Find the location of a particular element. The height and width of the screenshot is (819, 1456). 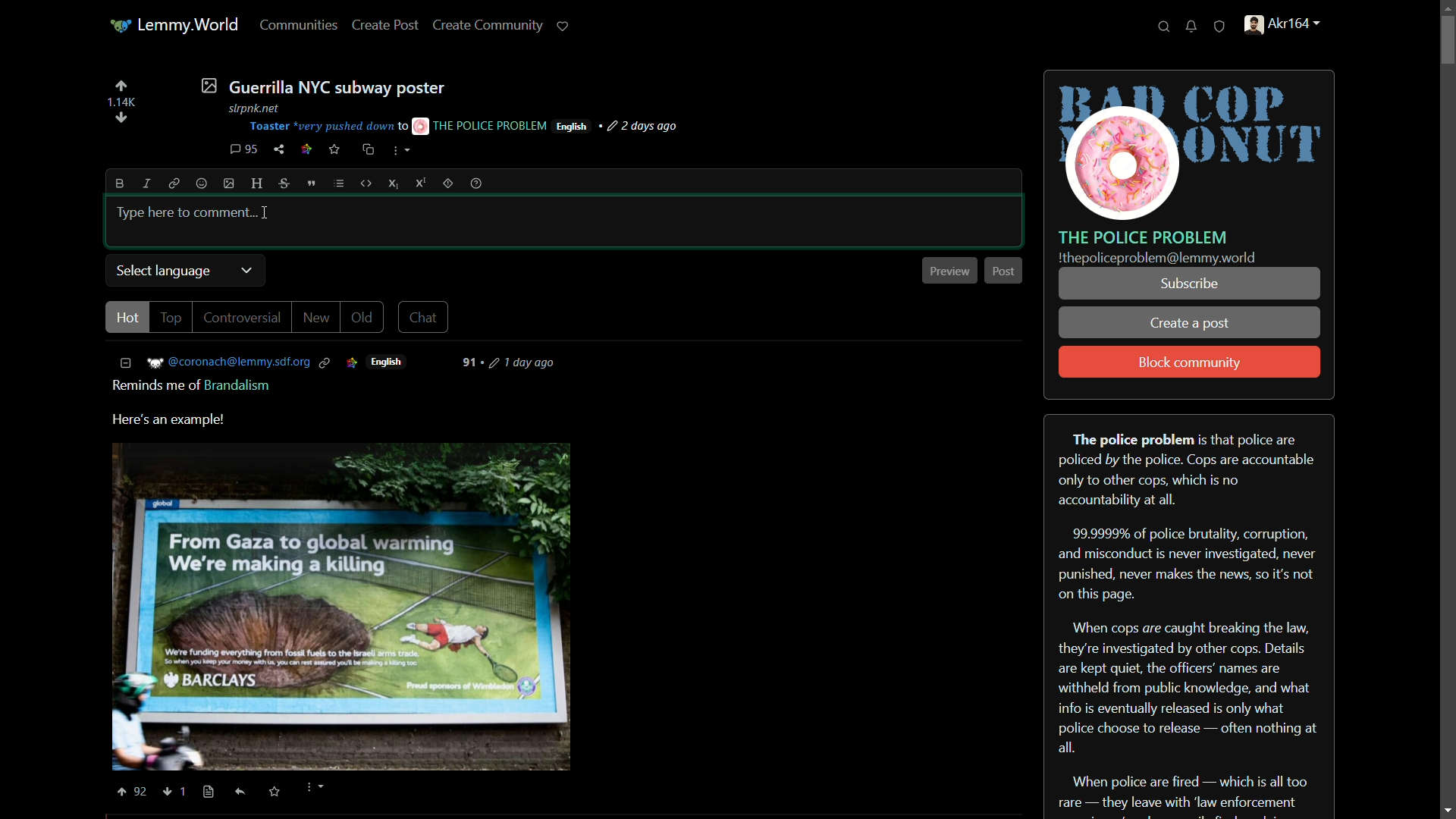

select language is located at coordinates (165, 271).